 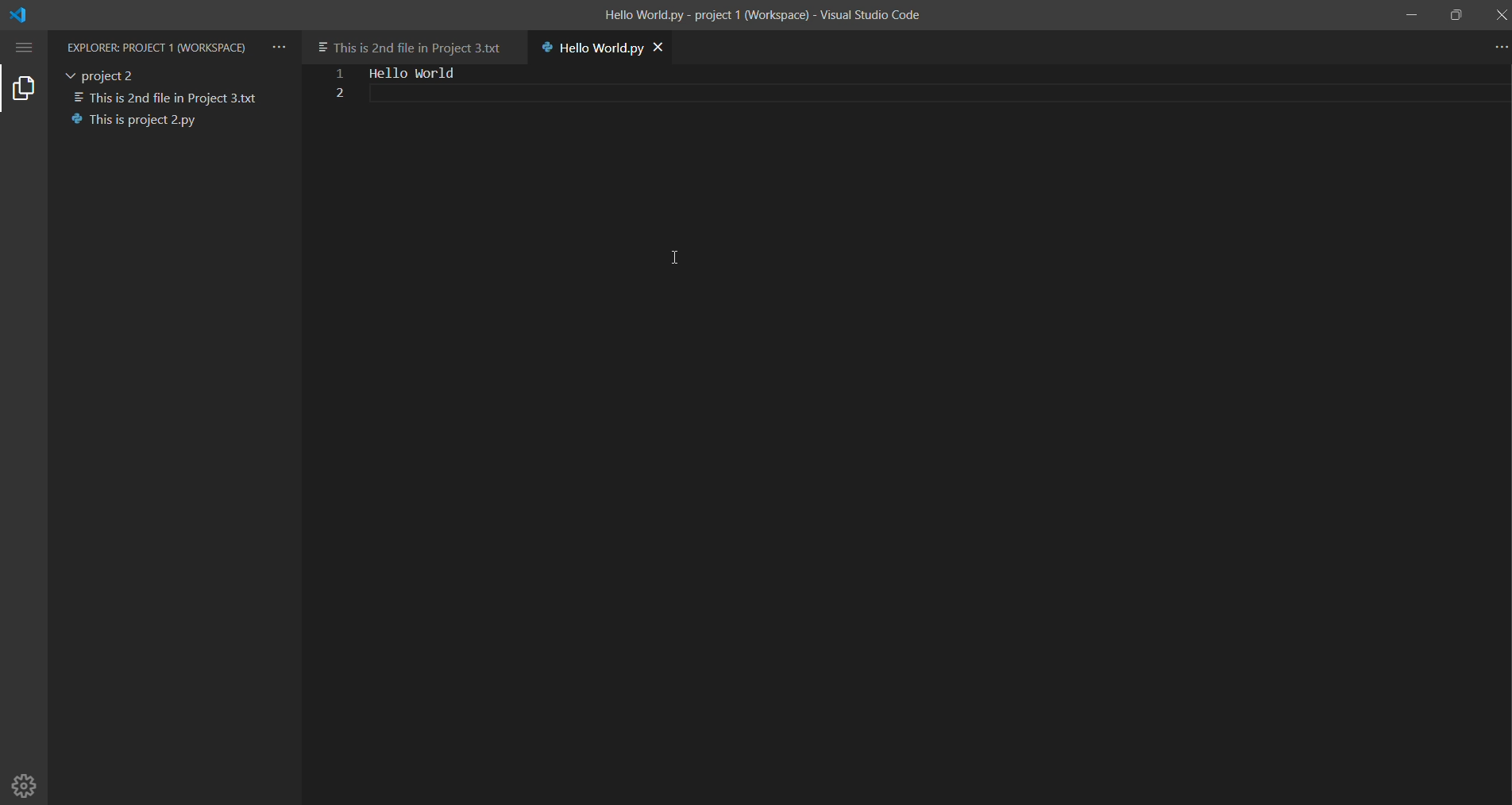 What do you see at coordinates (1455, 12) in the screenshot?
I see `maximize` at bounding box center [1455, 12].